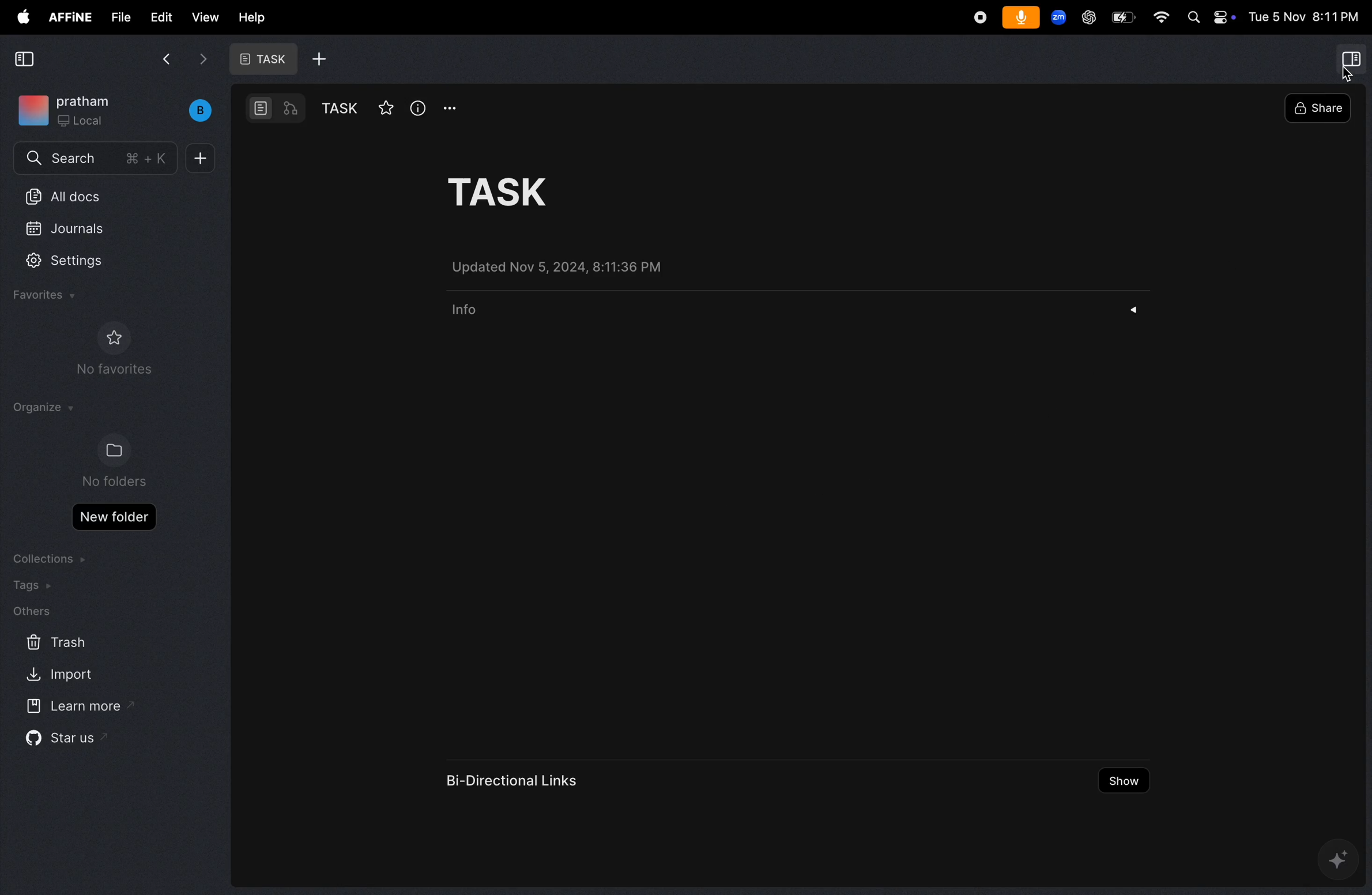 Image resolution: width=1372 pixels, height=895 pixels. What do you see at coordinates (462, 312) in the screenshot?
I see `info` at bounding box center [462, 312].